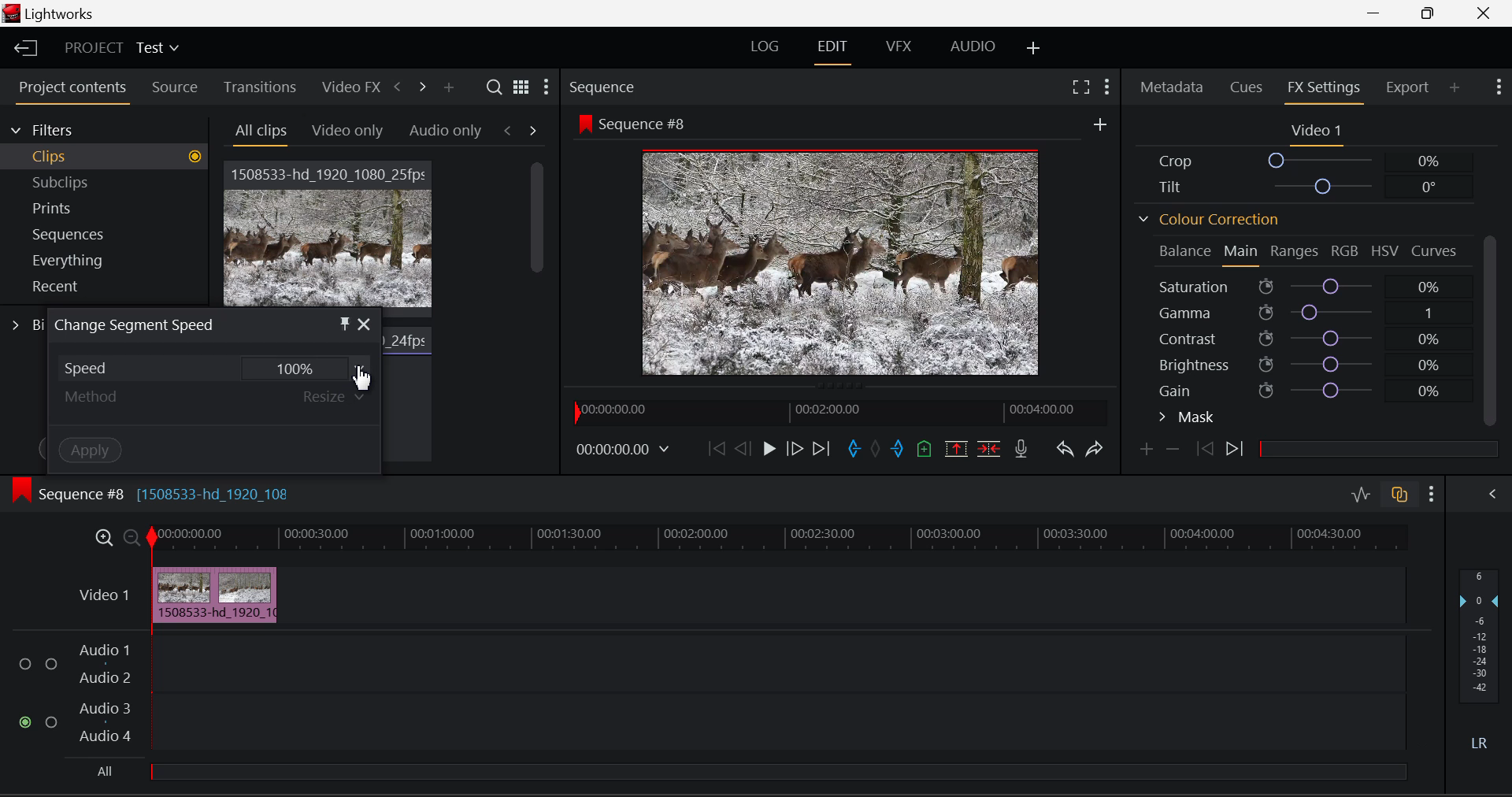  I want to click on Everything, so click(113, 260).